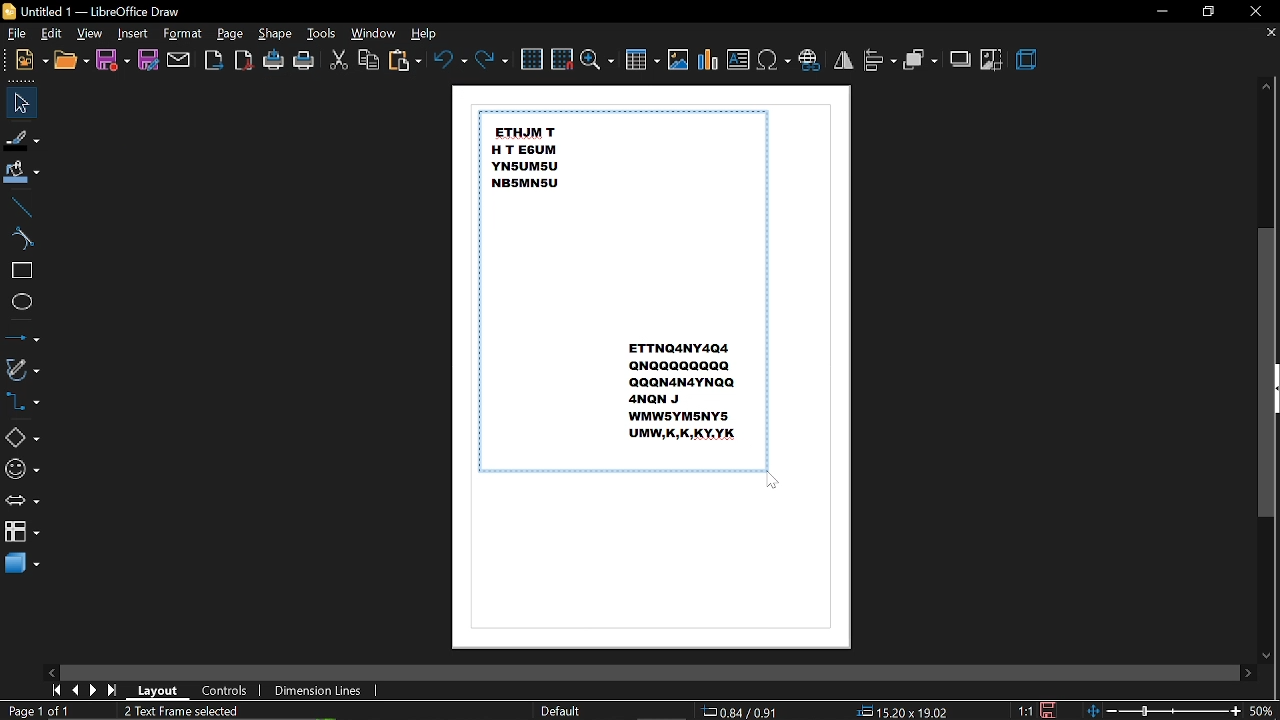 The image size is (1280, 720). What do you see at coordinates (92, 10) in the screenshot?
I see `Untitled 1 -  LibreOffice Draw` at bounding box center [92, 10].